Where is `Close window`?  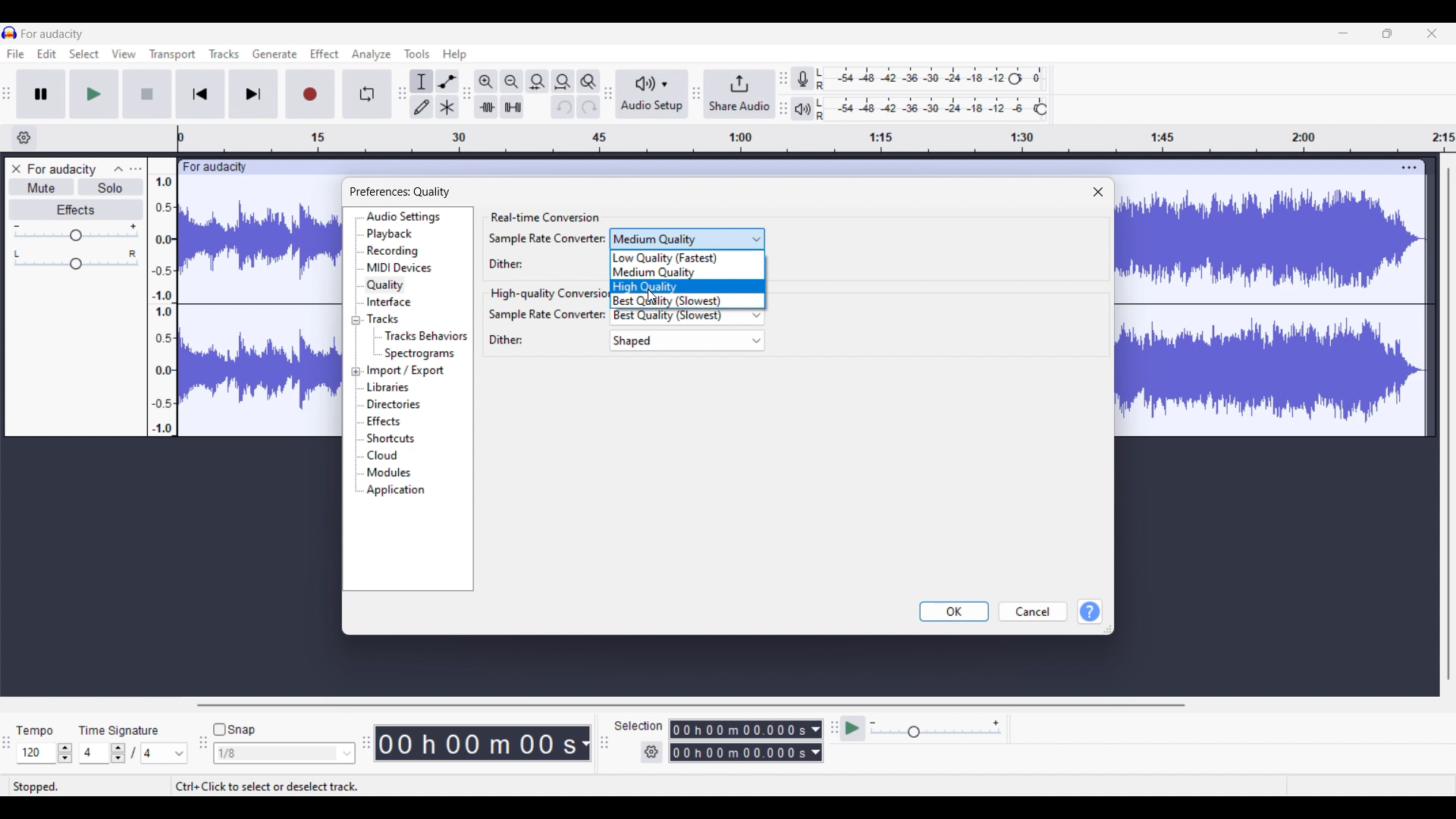
Close window is located at coordinates (1098, 193).